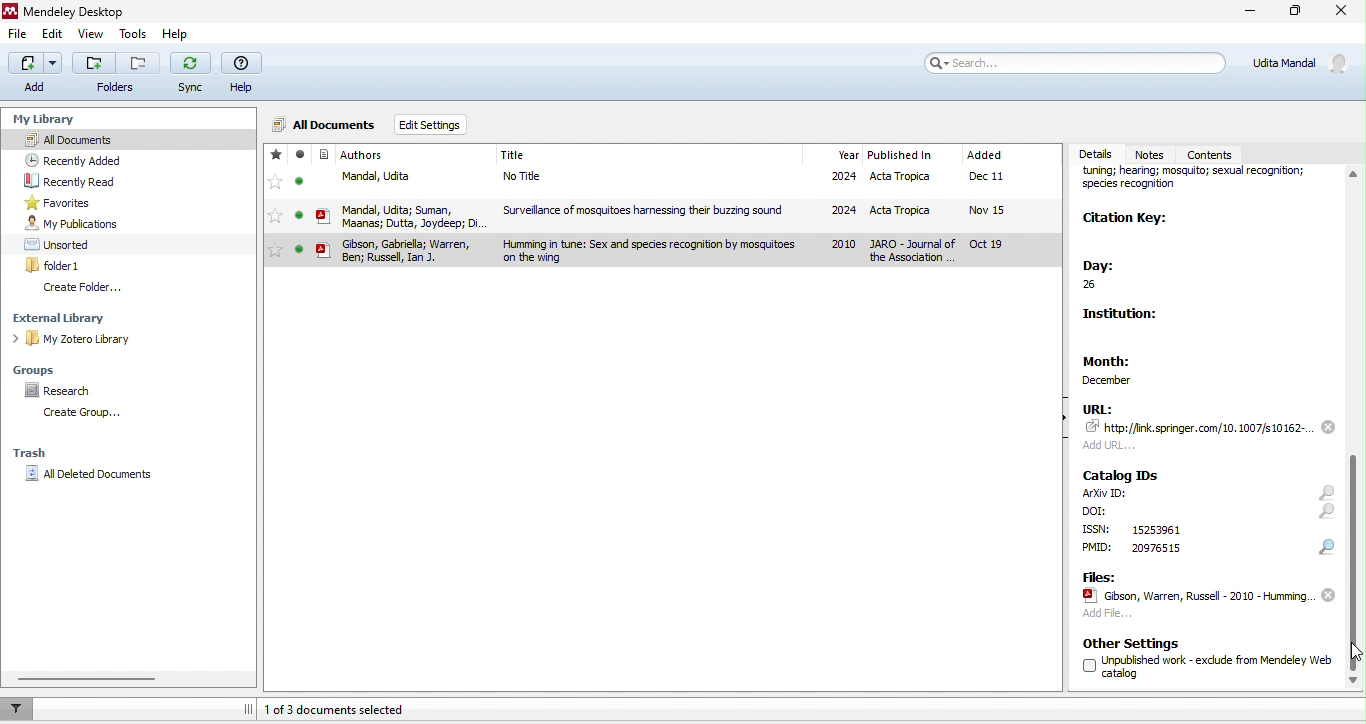  Describe the element at coordinates (847, 155) in the screenshot. I see `year` at that location.